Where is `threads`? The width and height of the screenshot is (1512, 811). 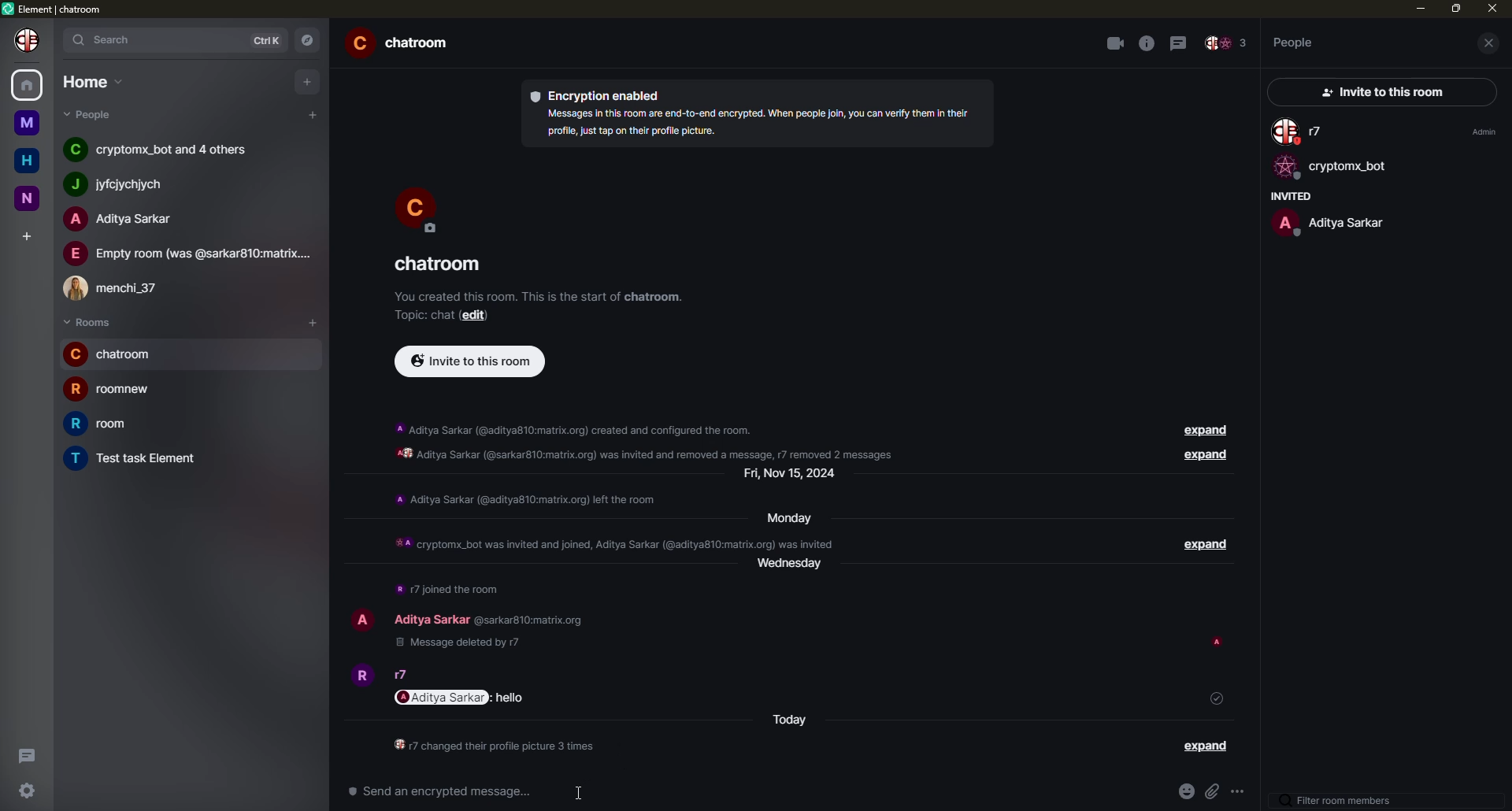 threads is located at coordinates (1181, 42).